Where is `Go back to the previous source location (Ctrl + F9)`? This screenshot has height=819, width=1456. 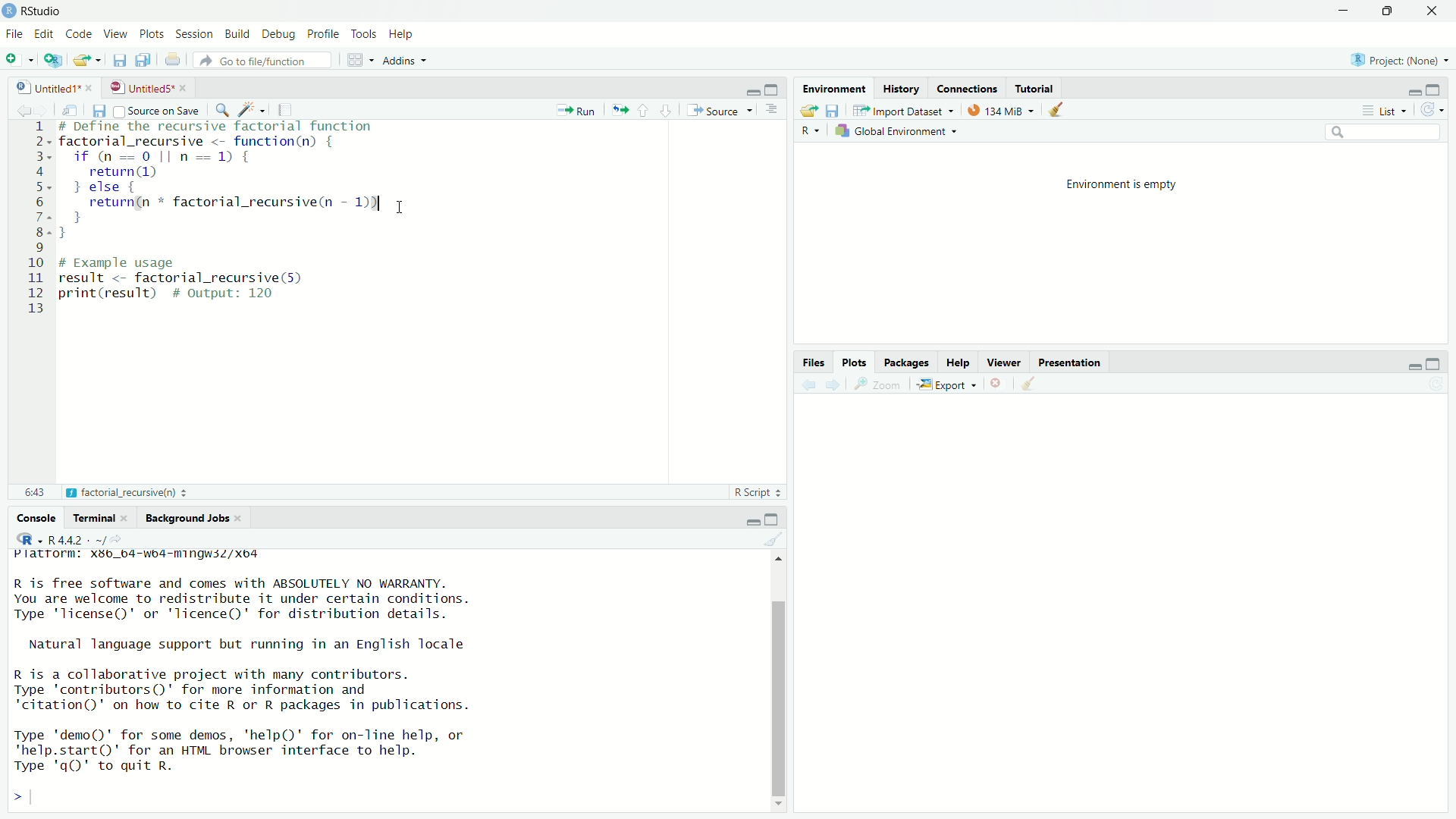
Go back to the previous source location (Ctrl + F9) is located at coordinates (807, 383).